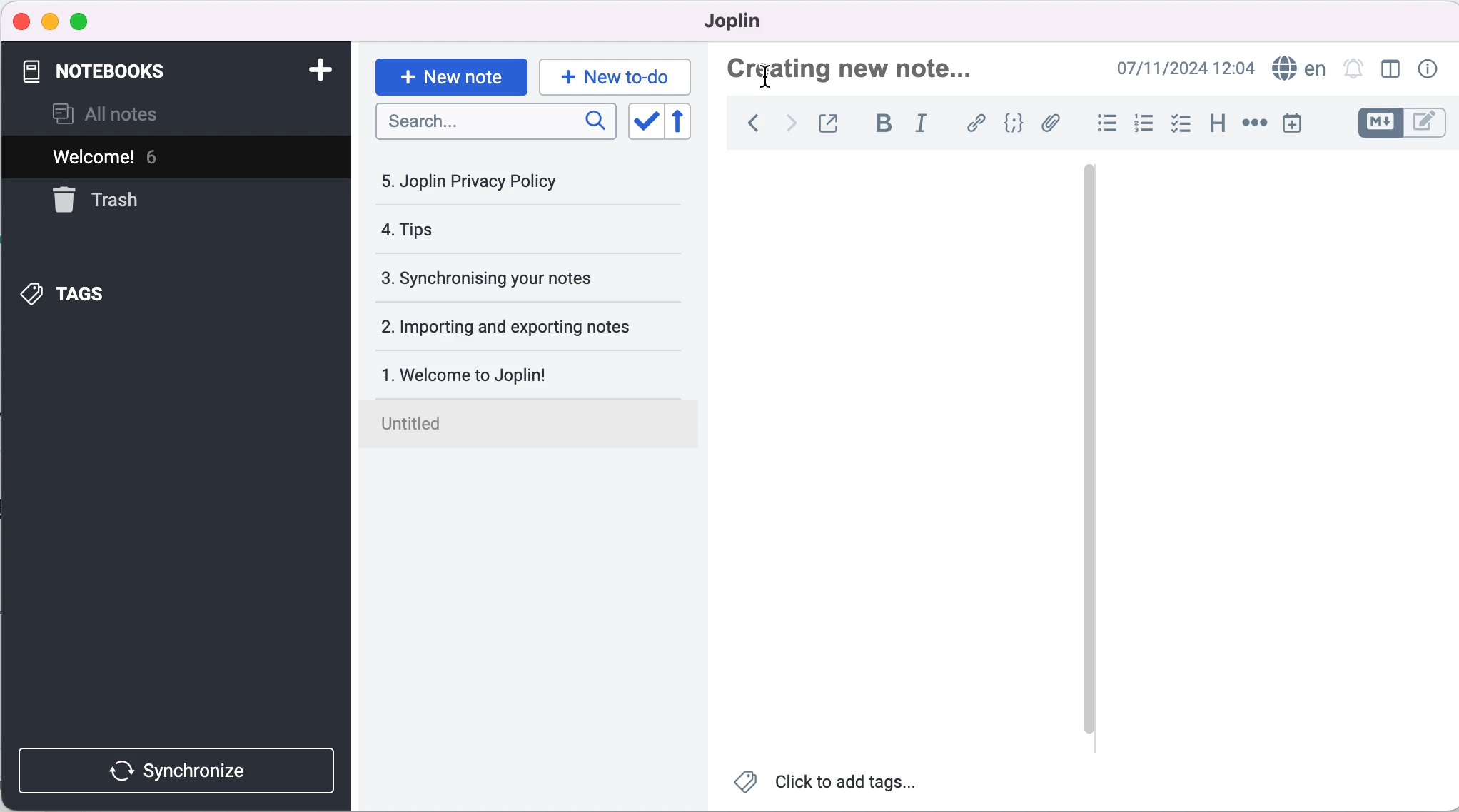  I want to click on welcome! 6, so click(158, 158).